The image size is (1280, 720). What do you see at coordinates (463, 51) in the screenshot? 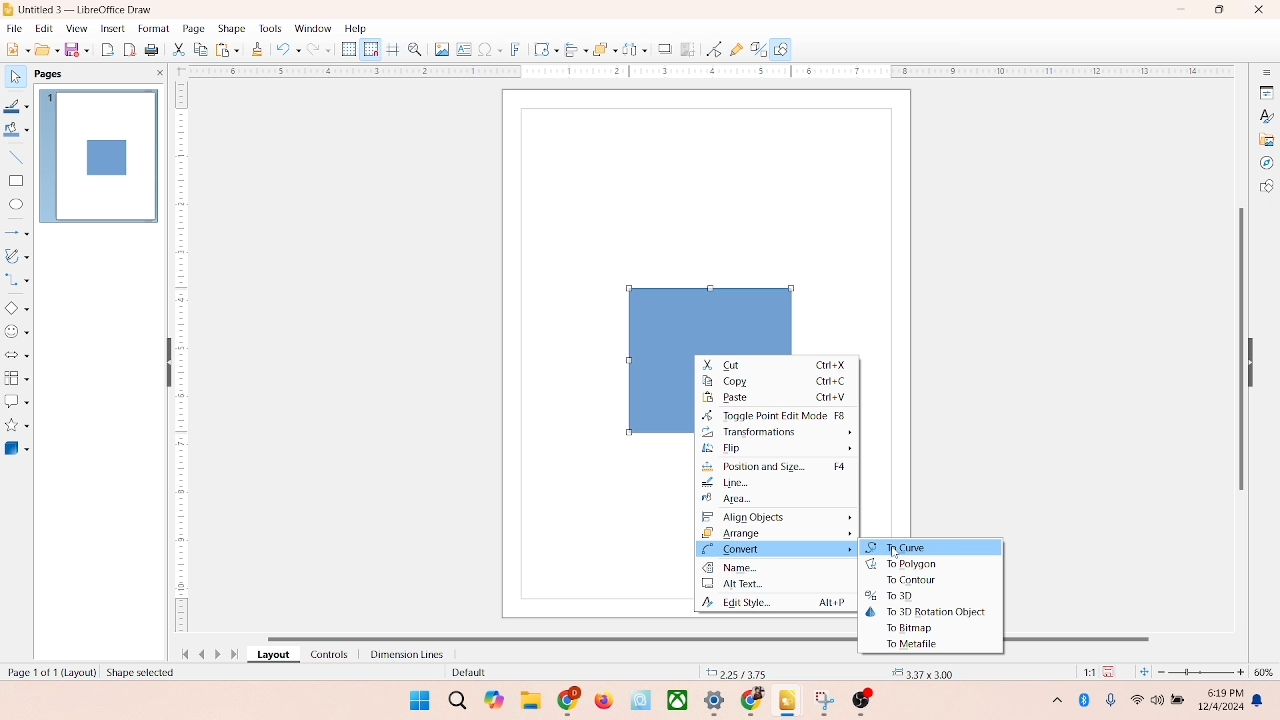
I see `textbox` at bounding box center [463, 51].